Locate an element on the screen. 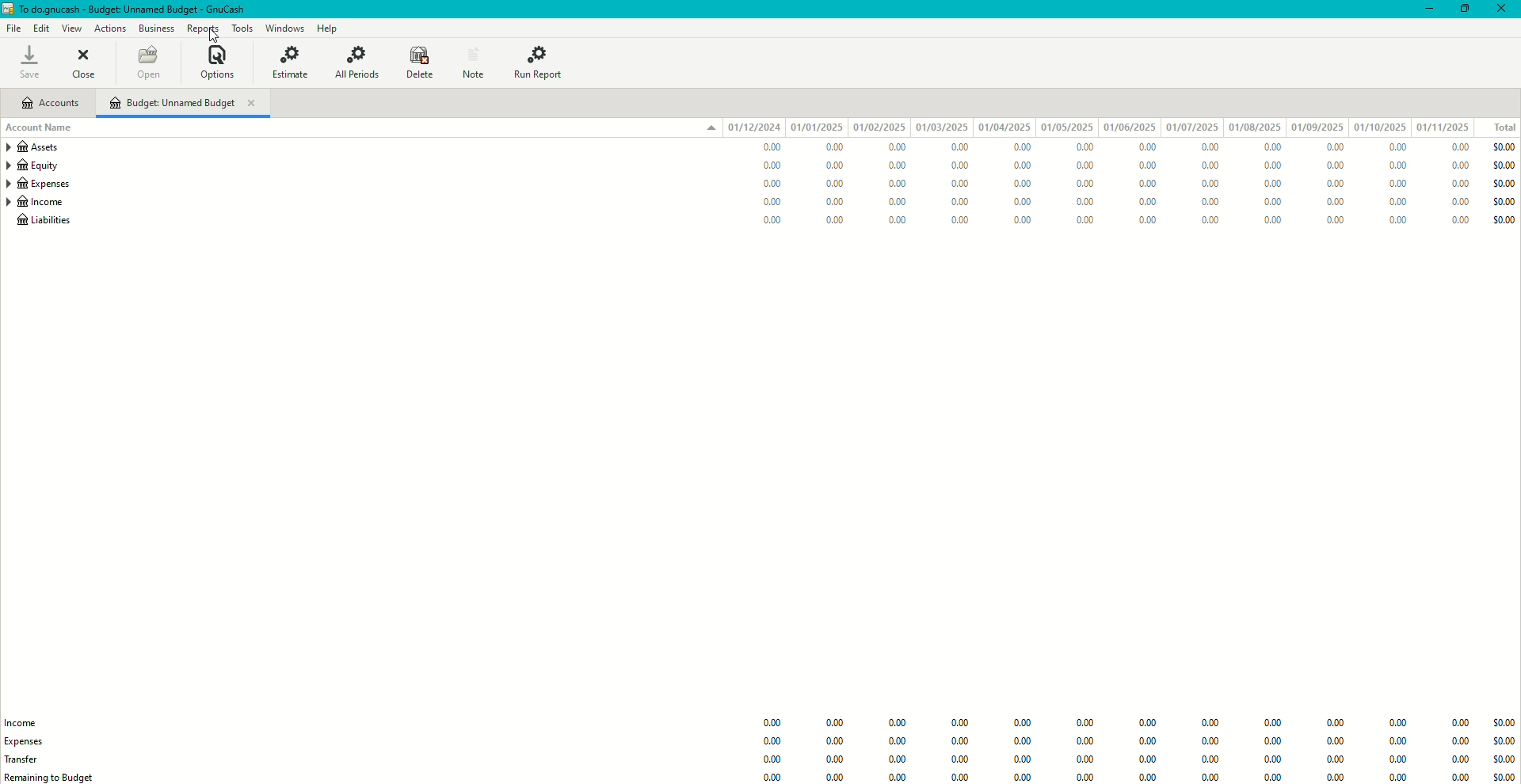 Image resolution: width=1521 pixels, height=784 pixels. 0.00 is located at coordinates (957, 185).